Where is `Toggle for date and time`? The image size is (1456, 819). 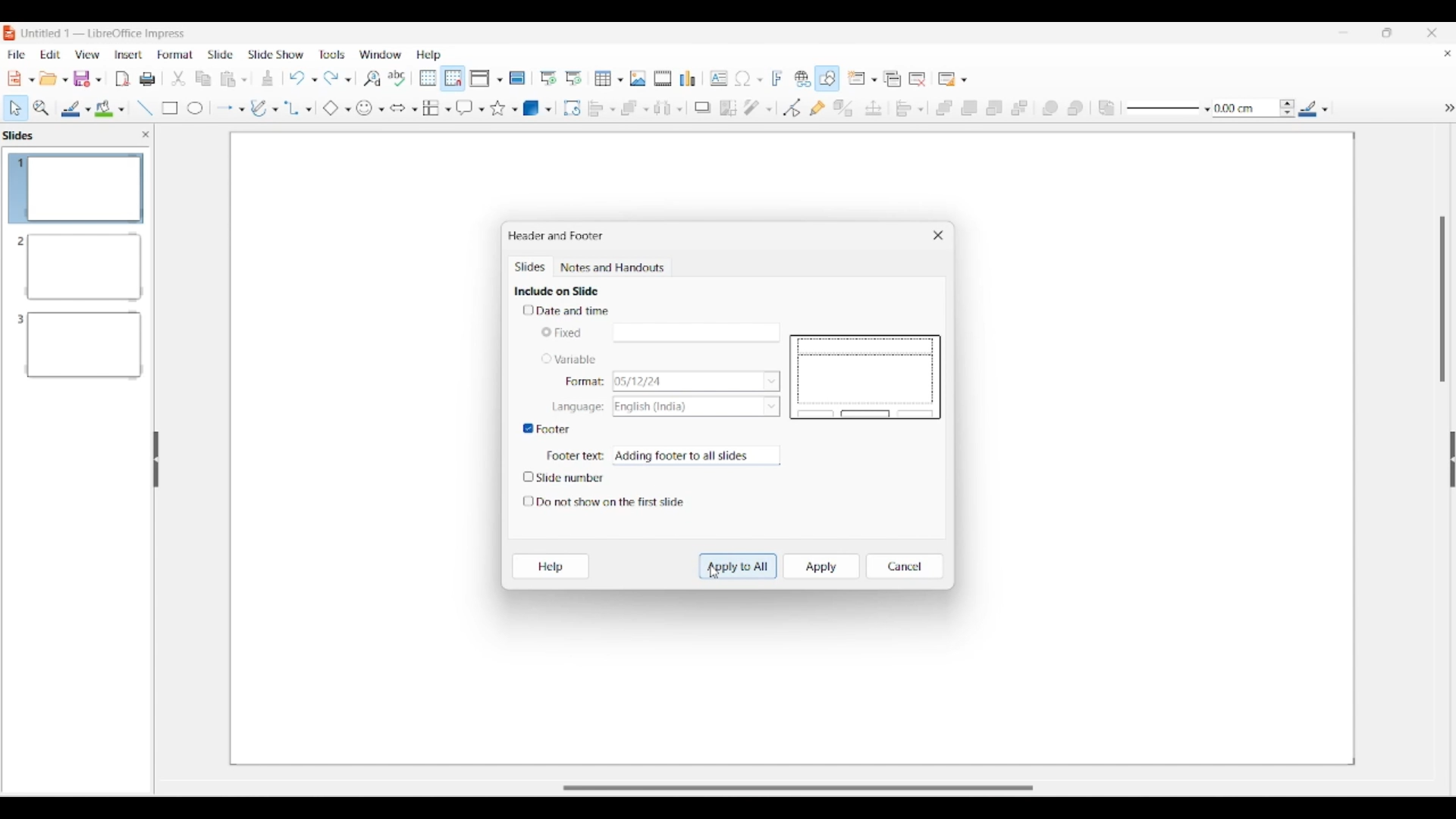
Toggle for date and time is located at coordinates (567, 311).